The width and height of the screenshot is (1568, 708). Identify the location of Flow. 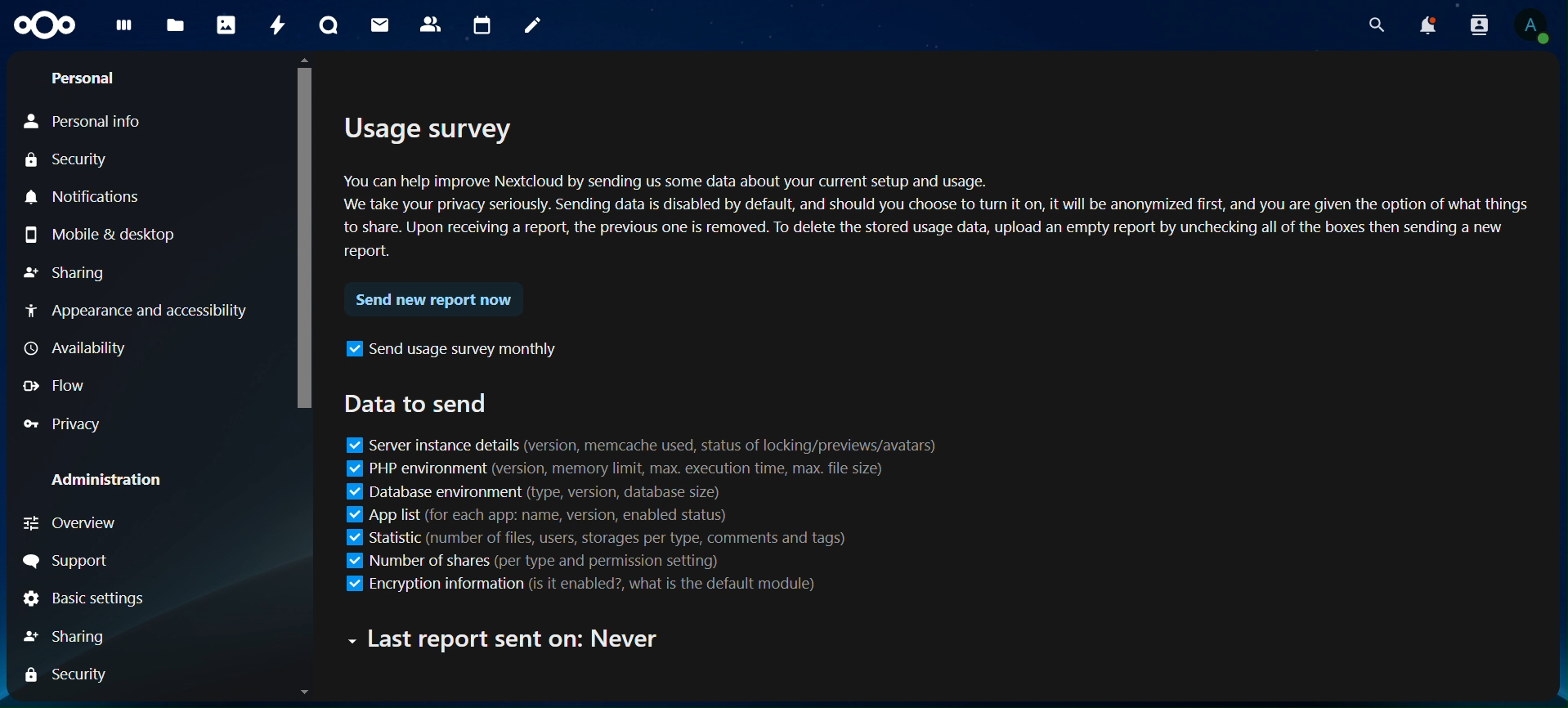
(57, 387).